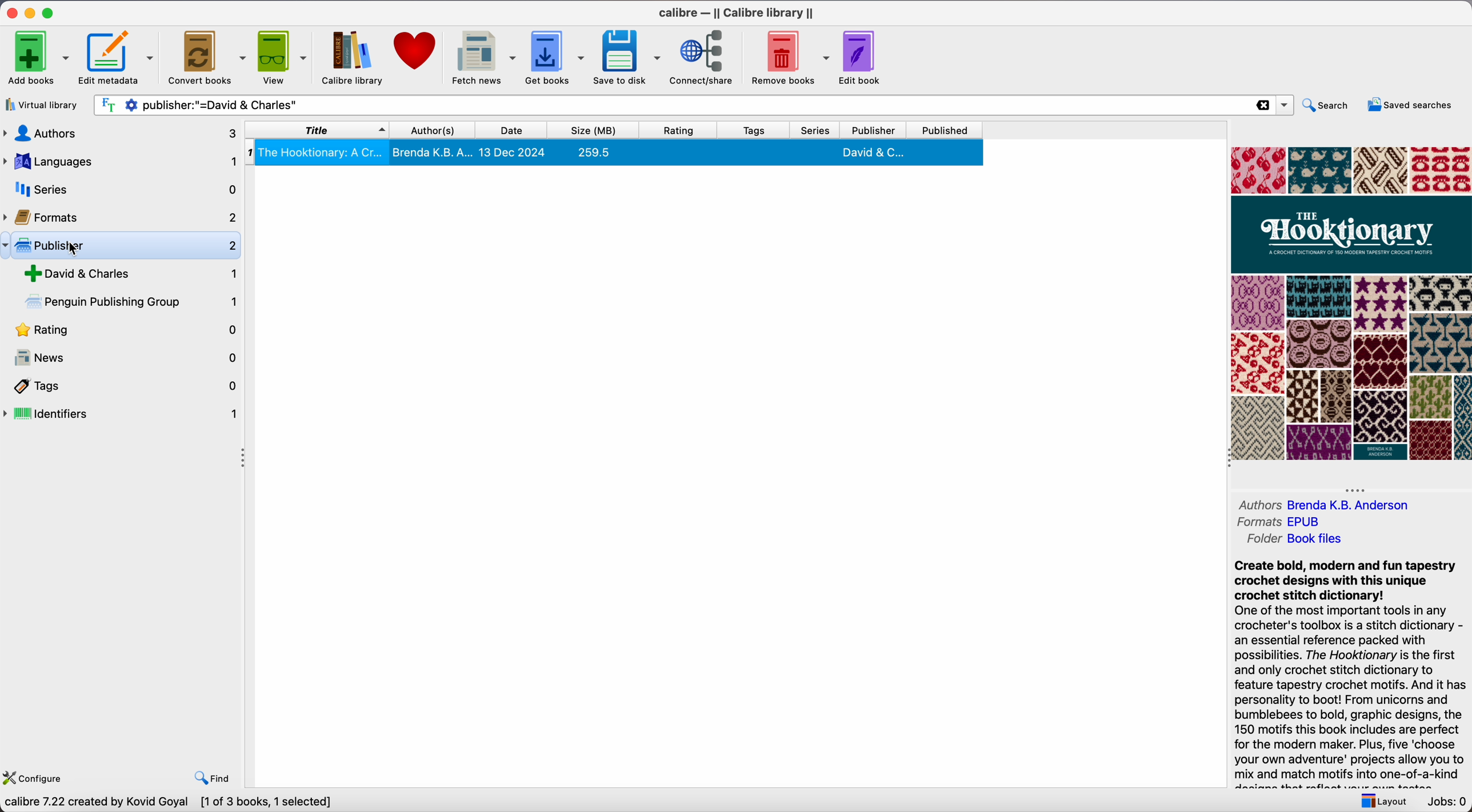  What do you see at coordinates (439, 129) in the screenshot?
I see `author(s)` at bounding box center [439, 129].